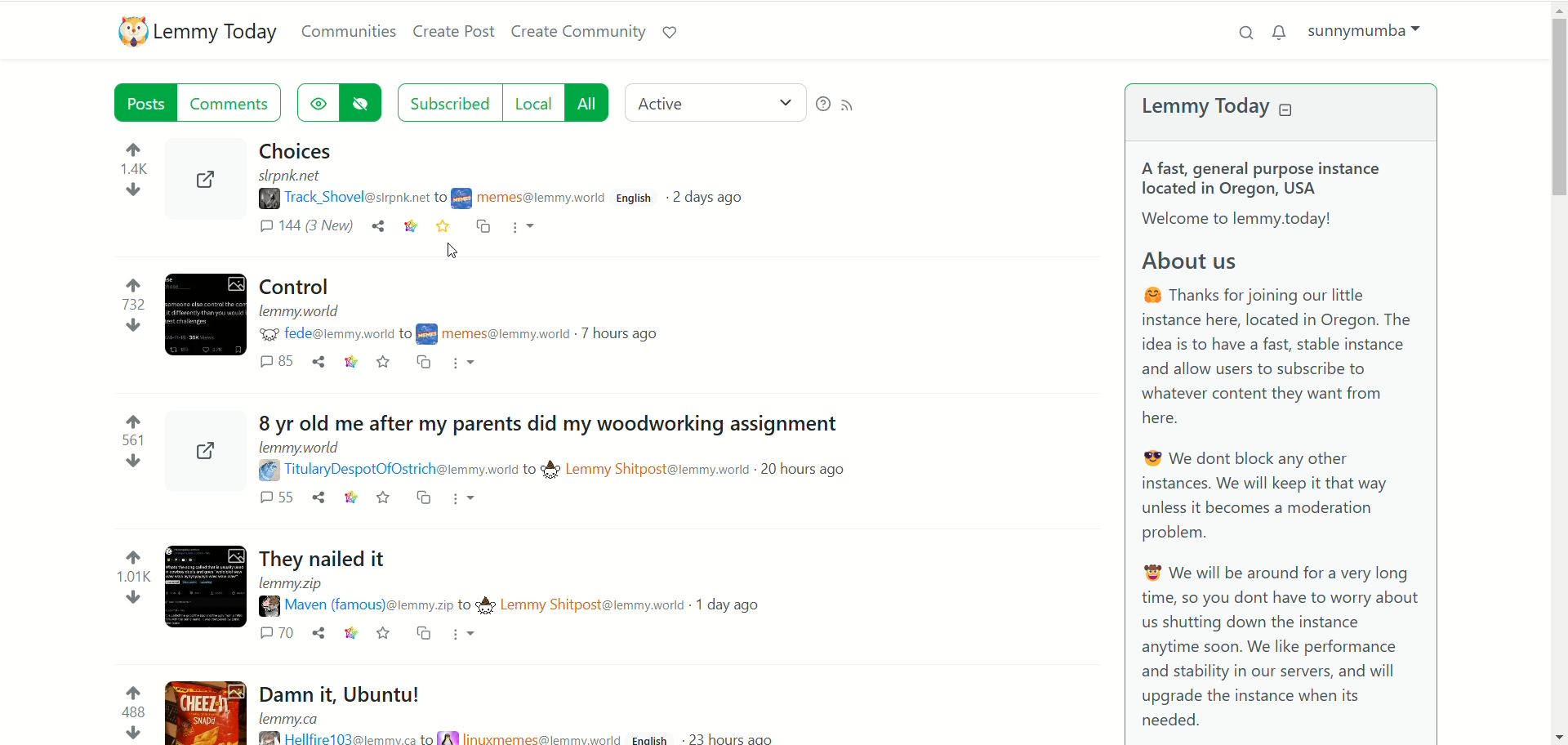 The width and height of the screenshot is (1568, 745). What do you see at coordinates (653, 738) in the screenshot?
I see `English` at bounding box center [653, 738].